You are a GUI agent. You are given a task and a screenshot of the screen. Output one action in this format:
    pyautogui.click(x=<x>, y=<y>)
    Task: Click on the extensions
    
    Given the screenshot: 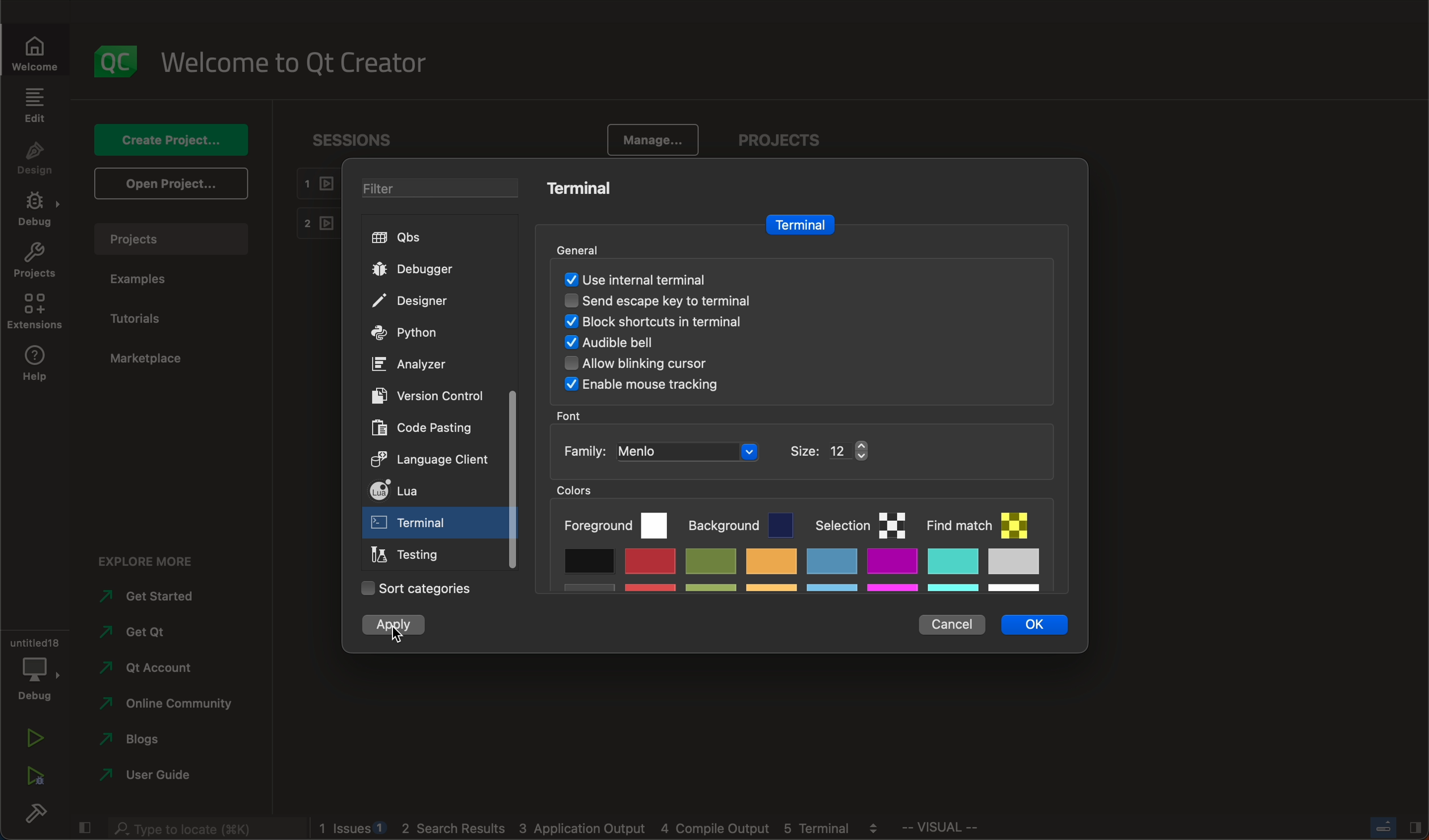 What is the action you would take?
    pyautogui.click(x=38, y=313)
    